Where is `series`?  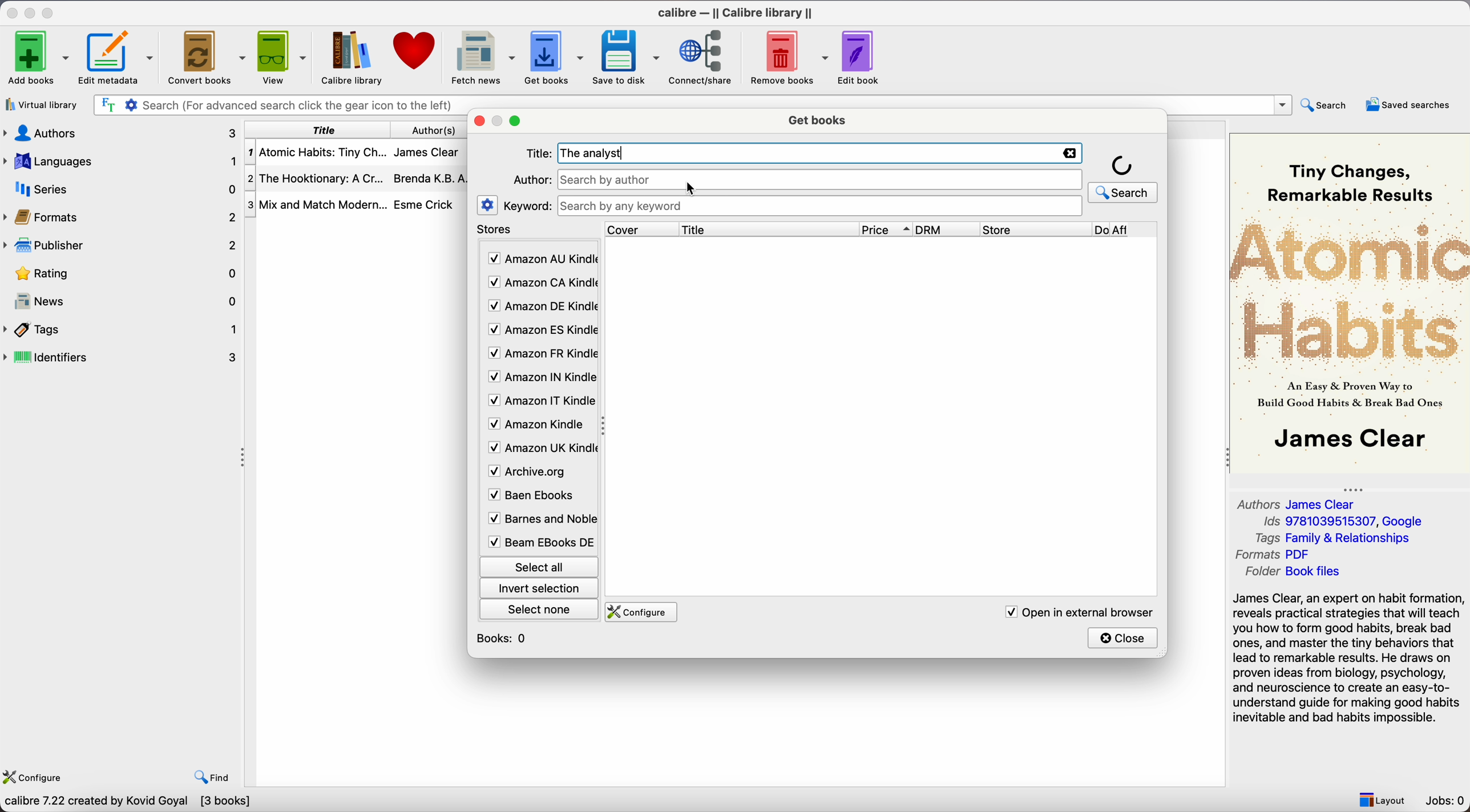 series is located at coordinates (120, 189).